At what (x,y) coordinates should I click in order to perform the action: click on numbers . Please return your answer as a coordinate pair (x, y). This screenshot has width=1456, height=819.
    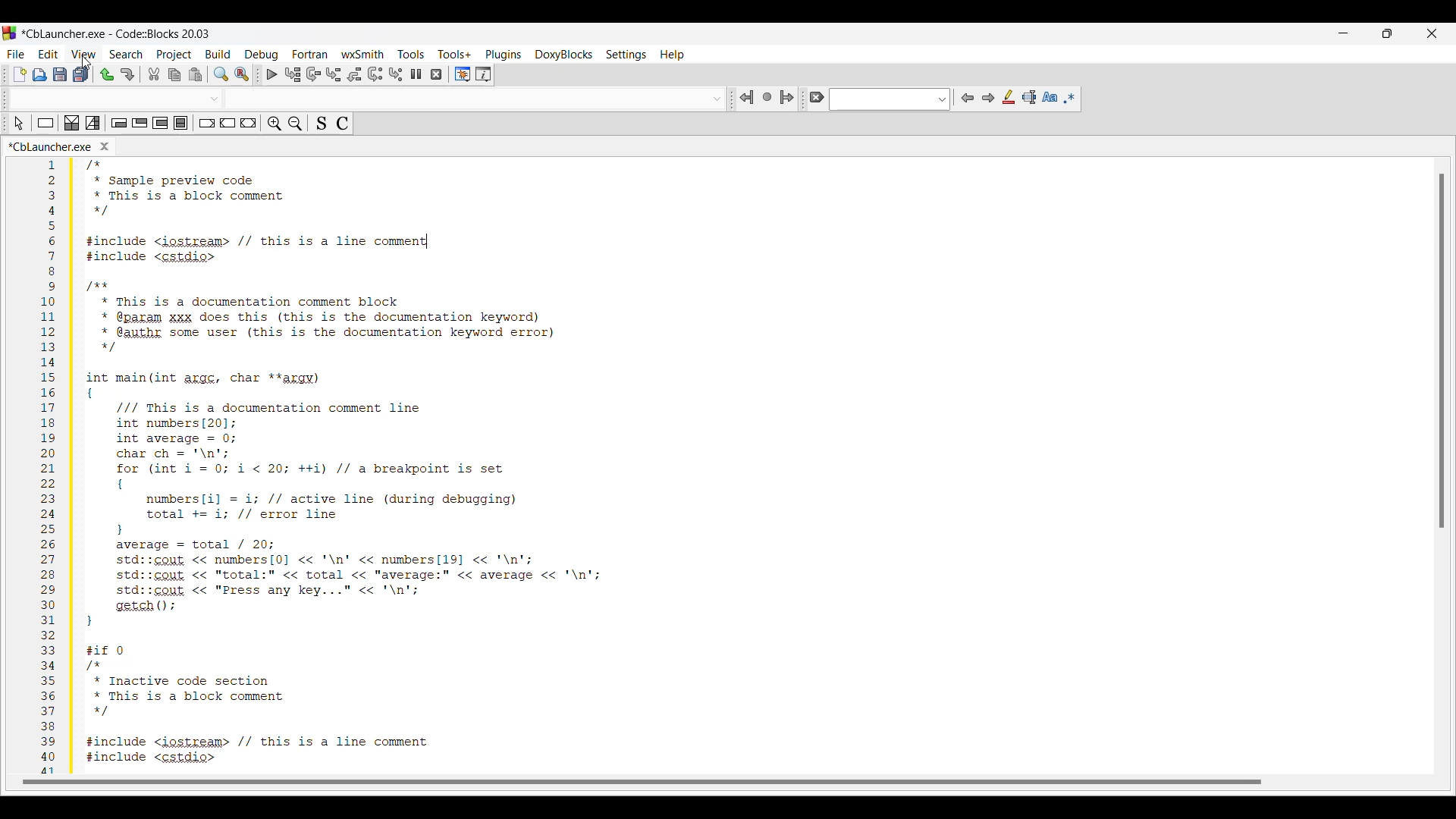
    Looking at the image, I should click on (45, 467).